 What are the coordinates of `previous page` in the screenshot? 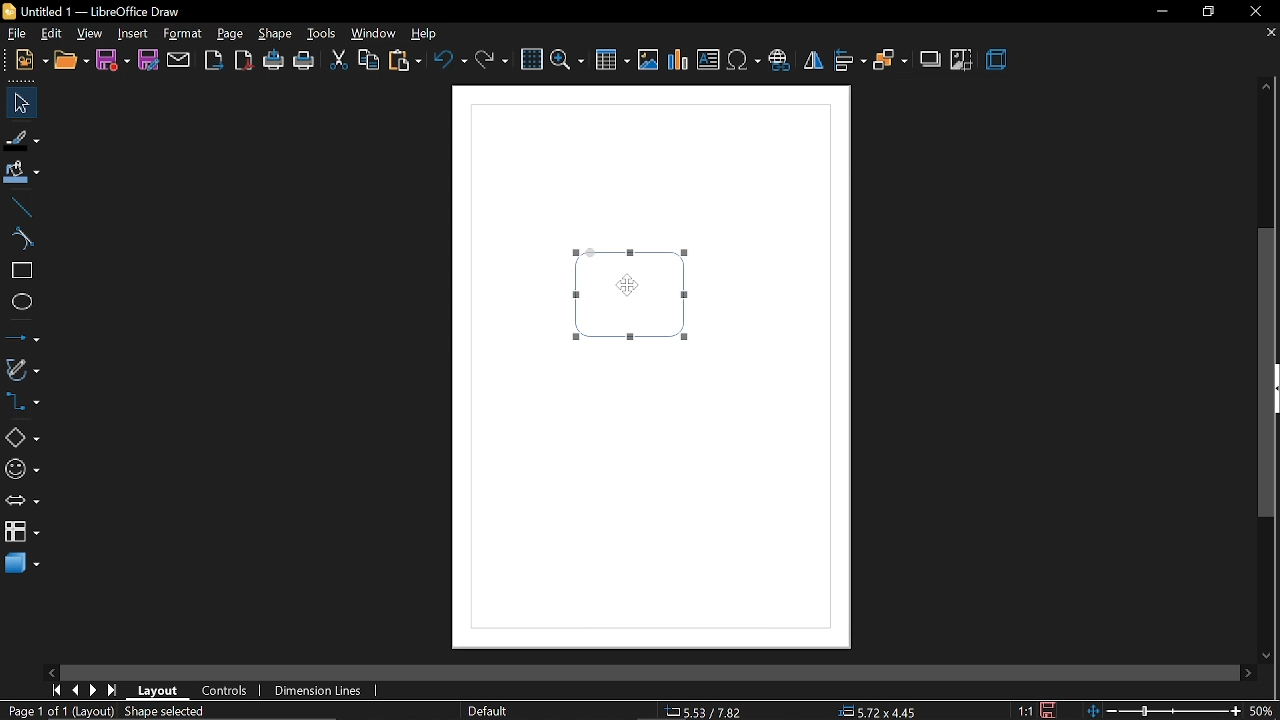 It's located at (75, 690).